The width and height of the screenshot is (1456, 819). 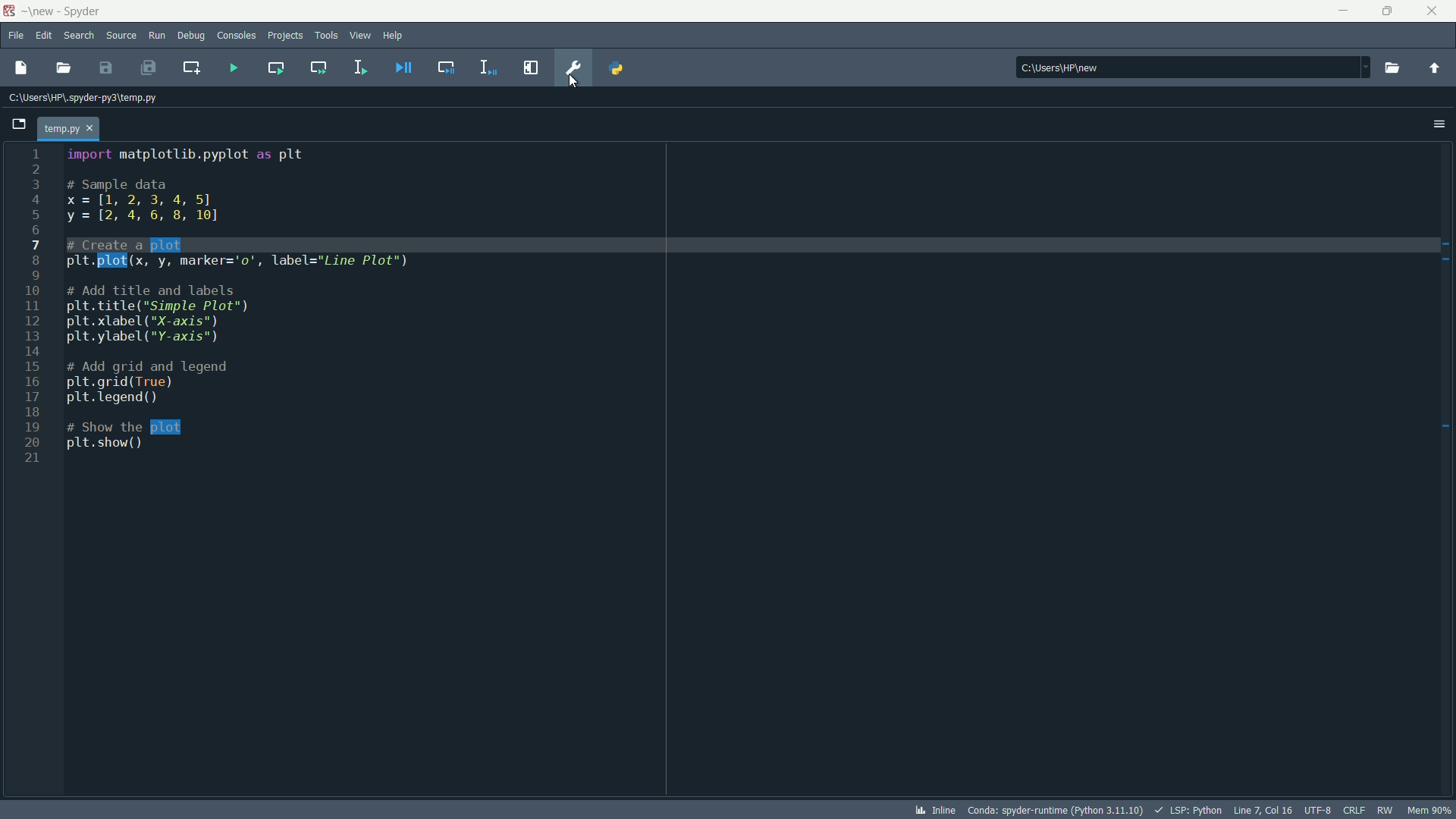 What do you see at coordinates (17, 36) in the screenshot?
I see `file` at bounding box center [17, 36].